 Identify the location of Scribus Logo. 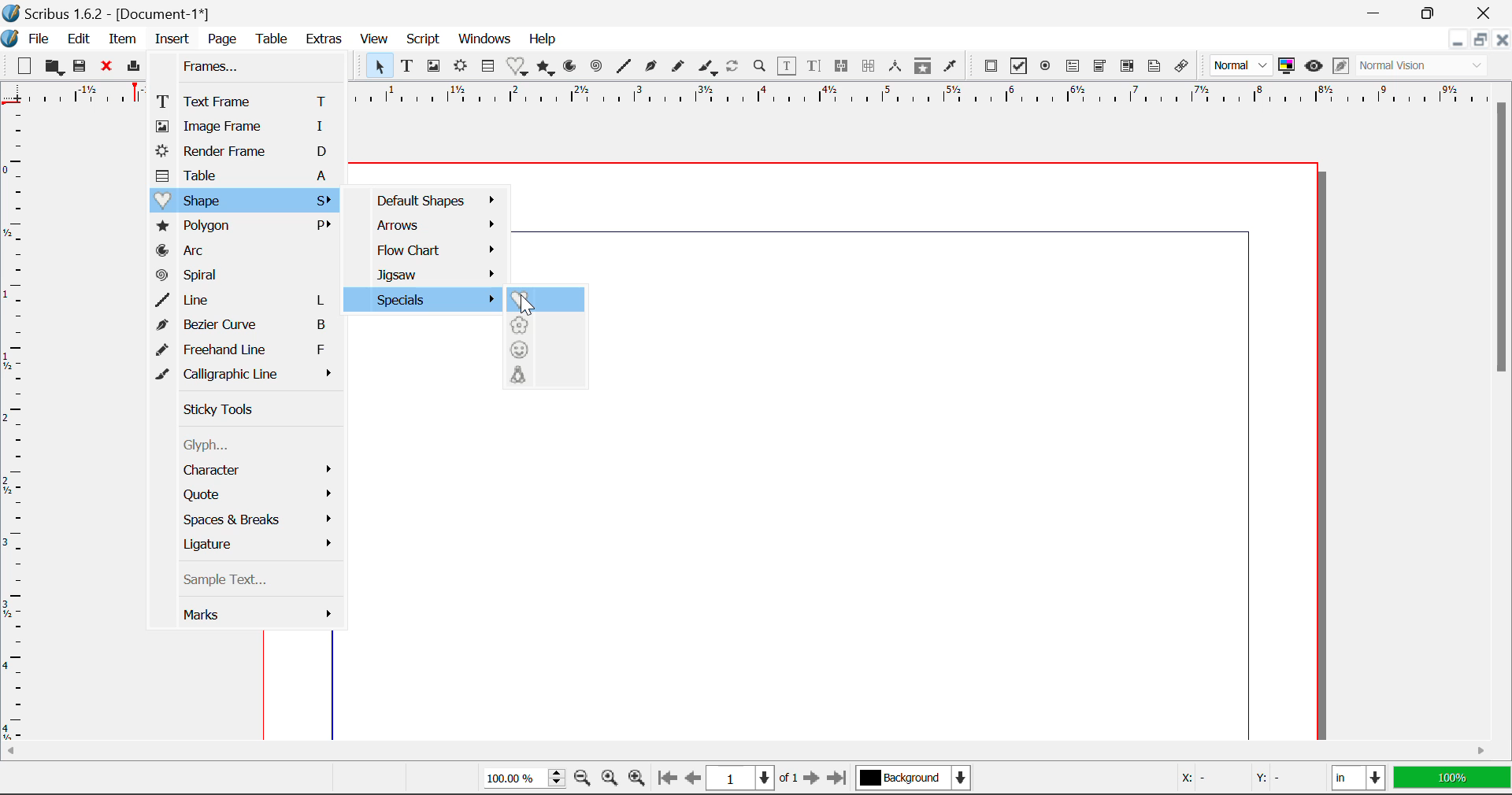
(9, 39).